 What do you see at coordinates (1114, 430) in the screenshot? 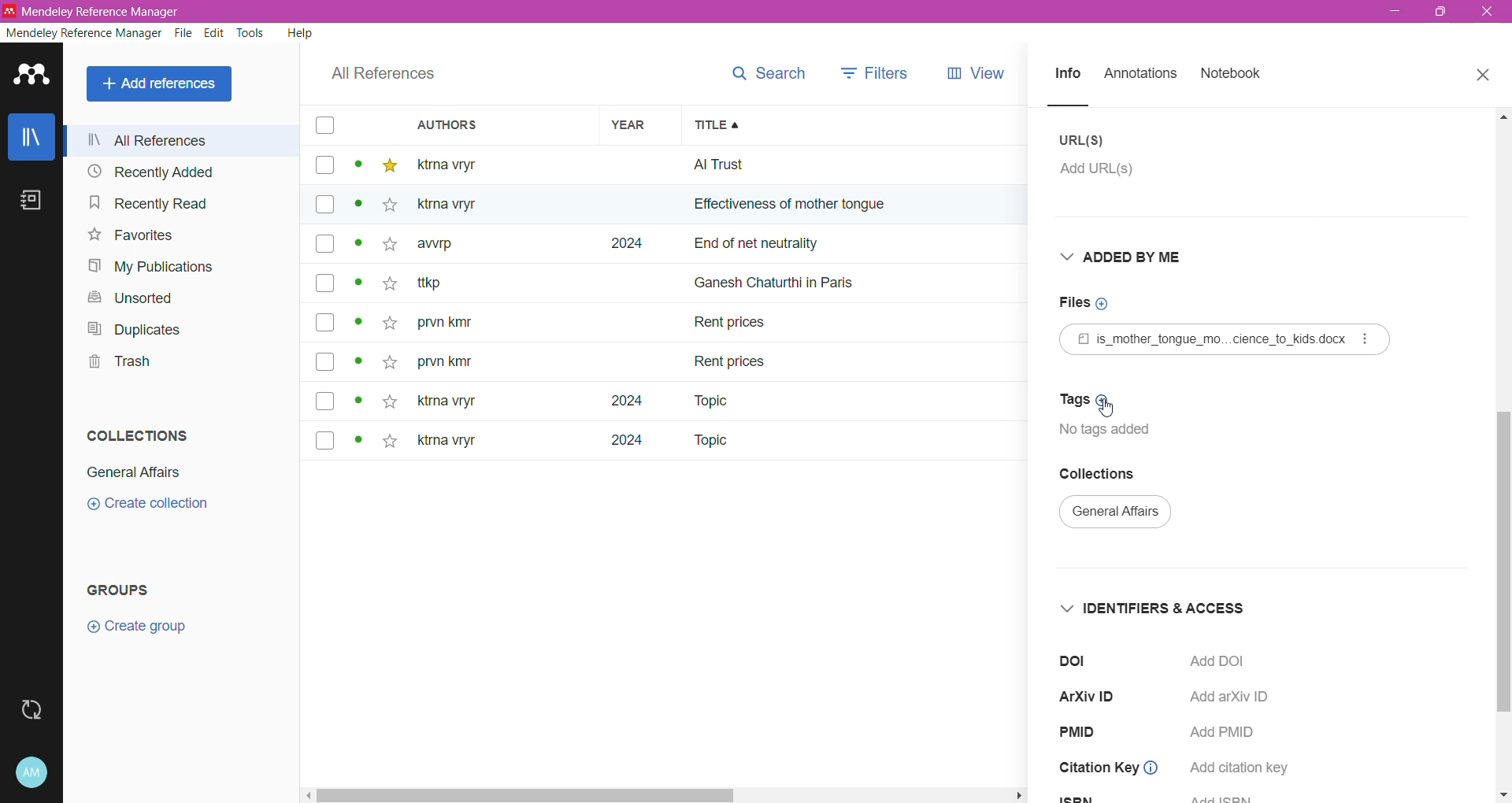
I see `No tags added` at bounding box center [1114, 430].